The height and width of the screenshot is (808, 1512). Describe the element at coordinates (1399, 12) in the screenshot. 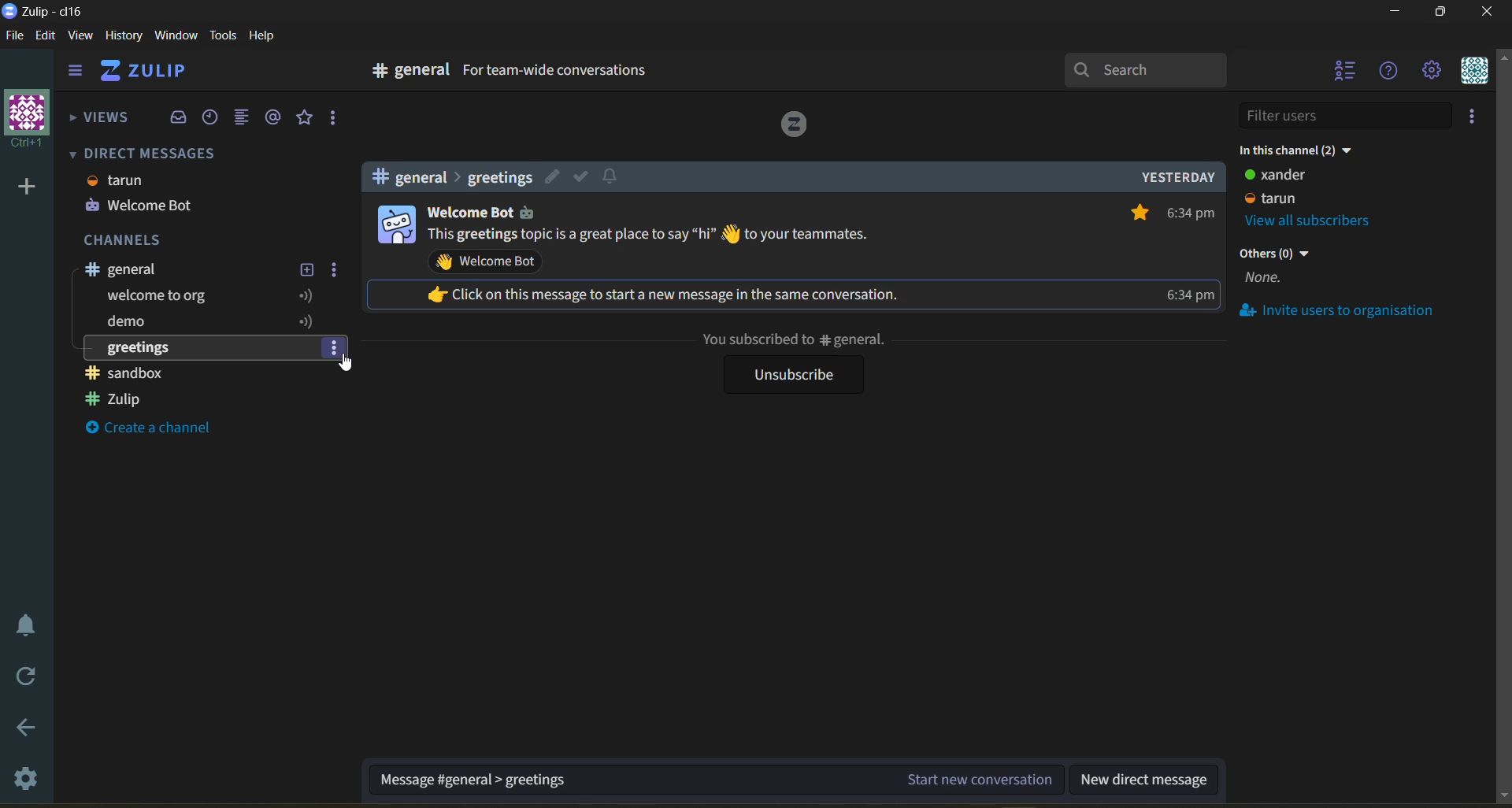

I see `minimize` at that location.